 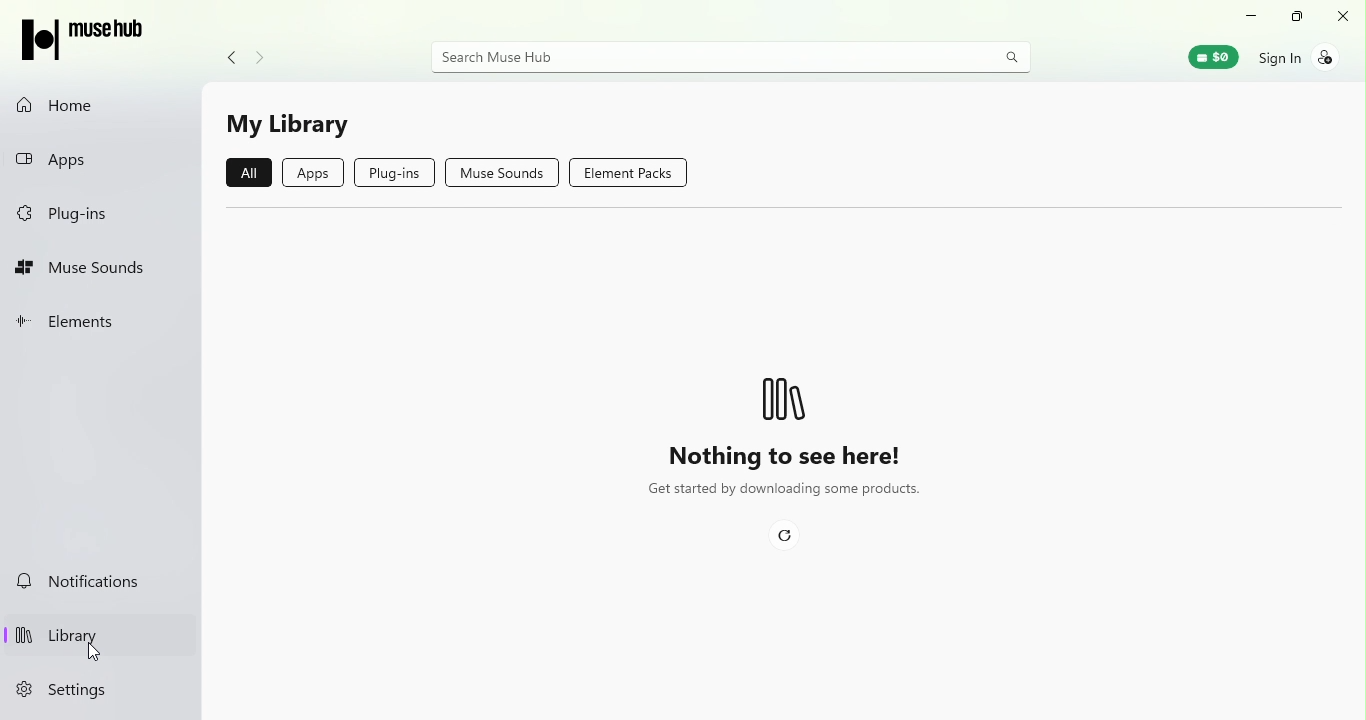 What do you see at coordinates (226, 57) in the screenshot?
I see `Navigate back` at bounding box center [226, 57].